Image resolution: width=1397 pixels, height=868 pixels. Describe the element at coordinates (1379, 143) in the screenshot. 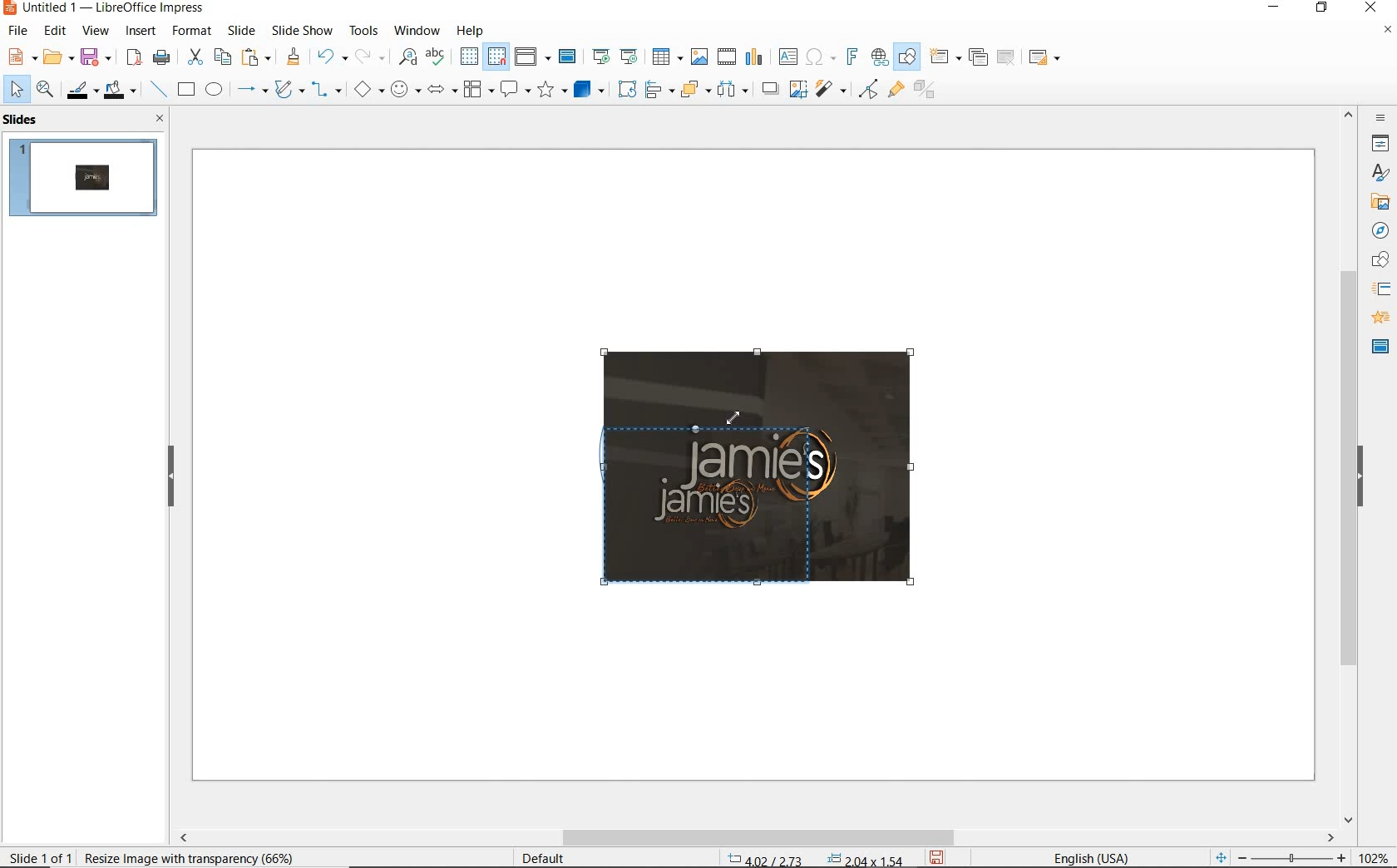

I see `properties` at that location.